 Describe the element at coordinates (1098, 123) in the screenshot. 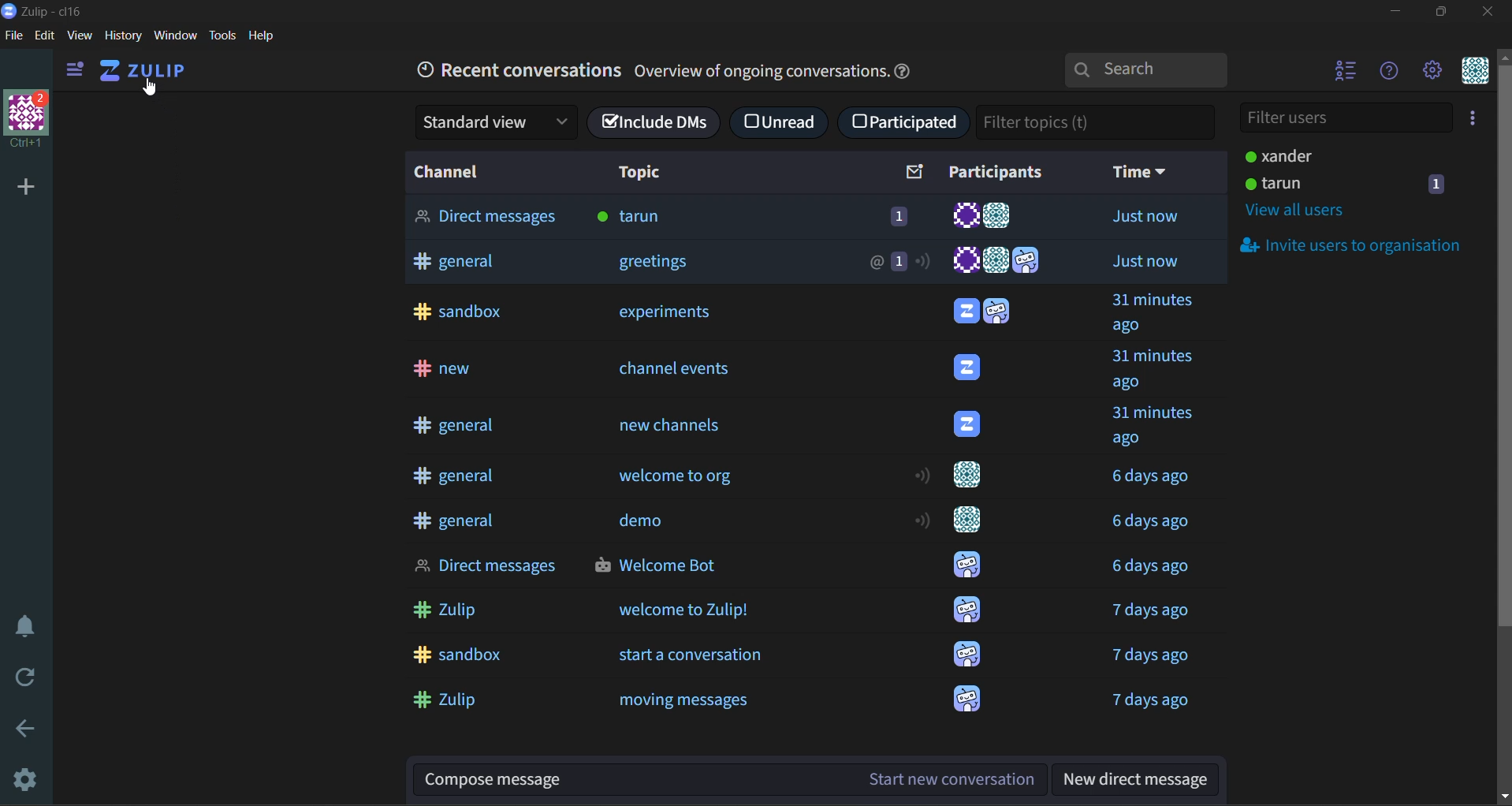

I see `filter topics` at that location.